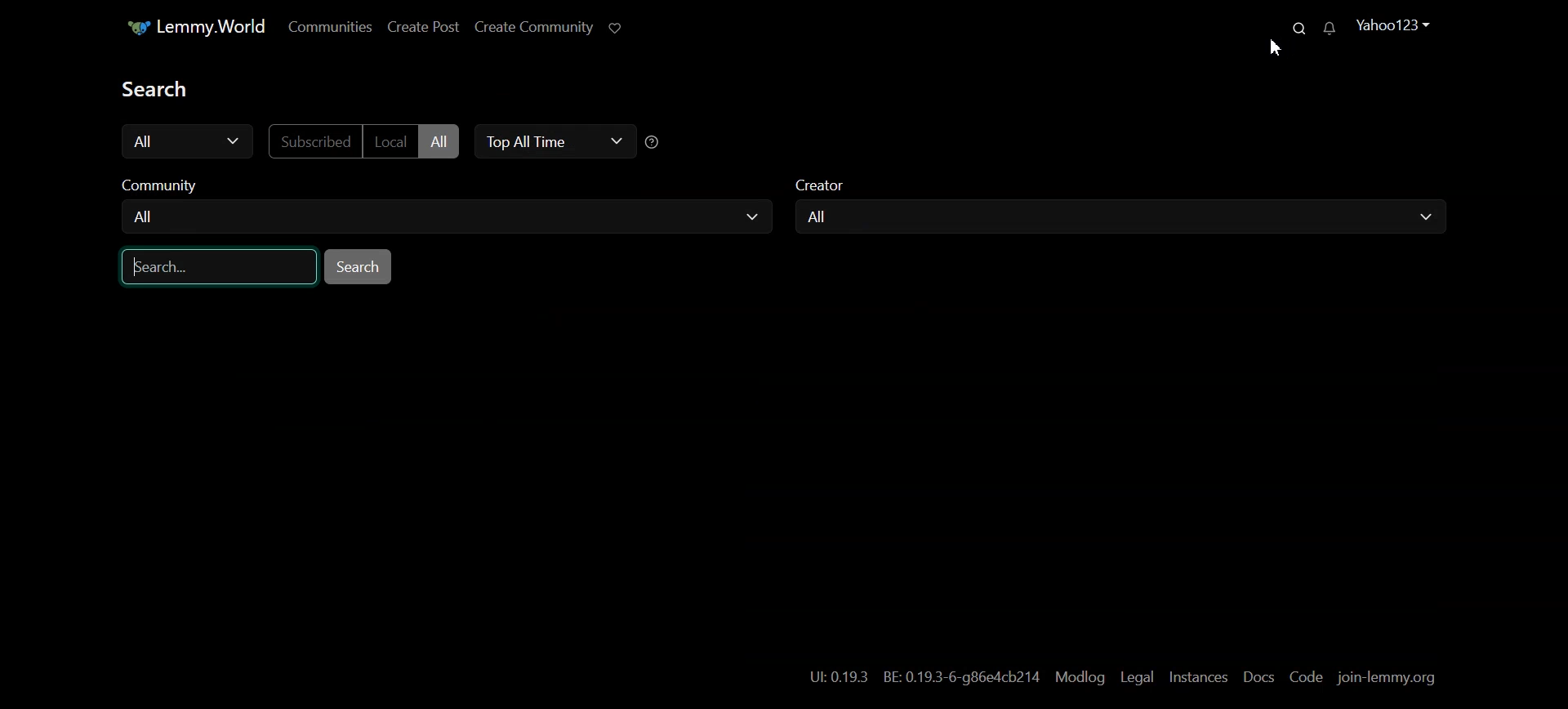  Describe the element at coordinates (920, 676) in the screenshot. I see `Hyperlink` at that location.